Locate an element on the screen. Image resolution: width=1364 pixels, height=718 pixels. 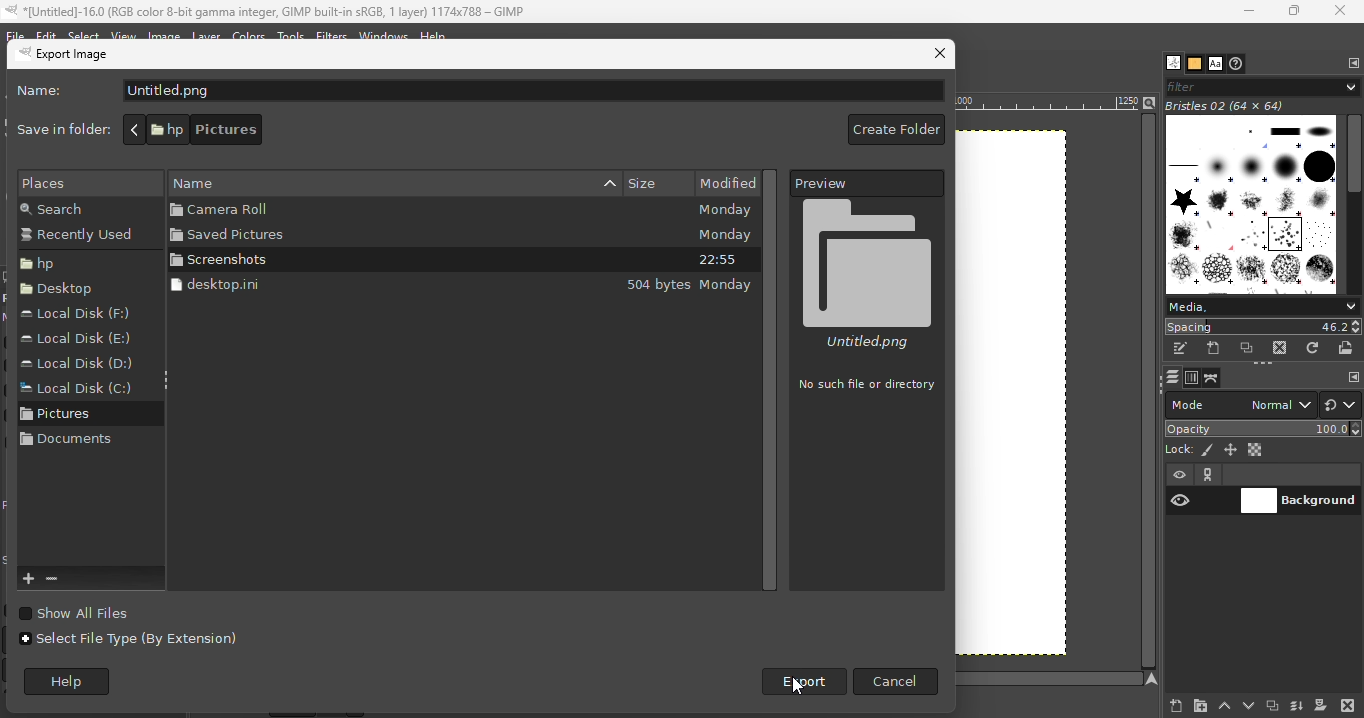
Create the duplicate of the layer is located at coordinates (1272, 707).